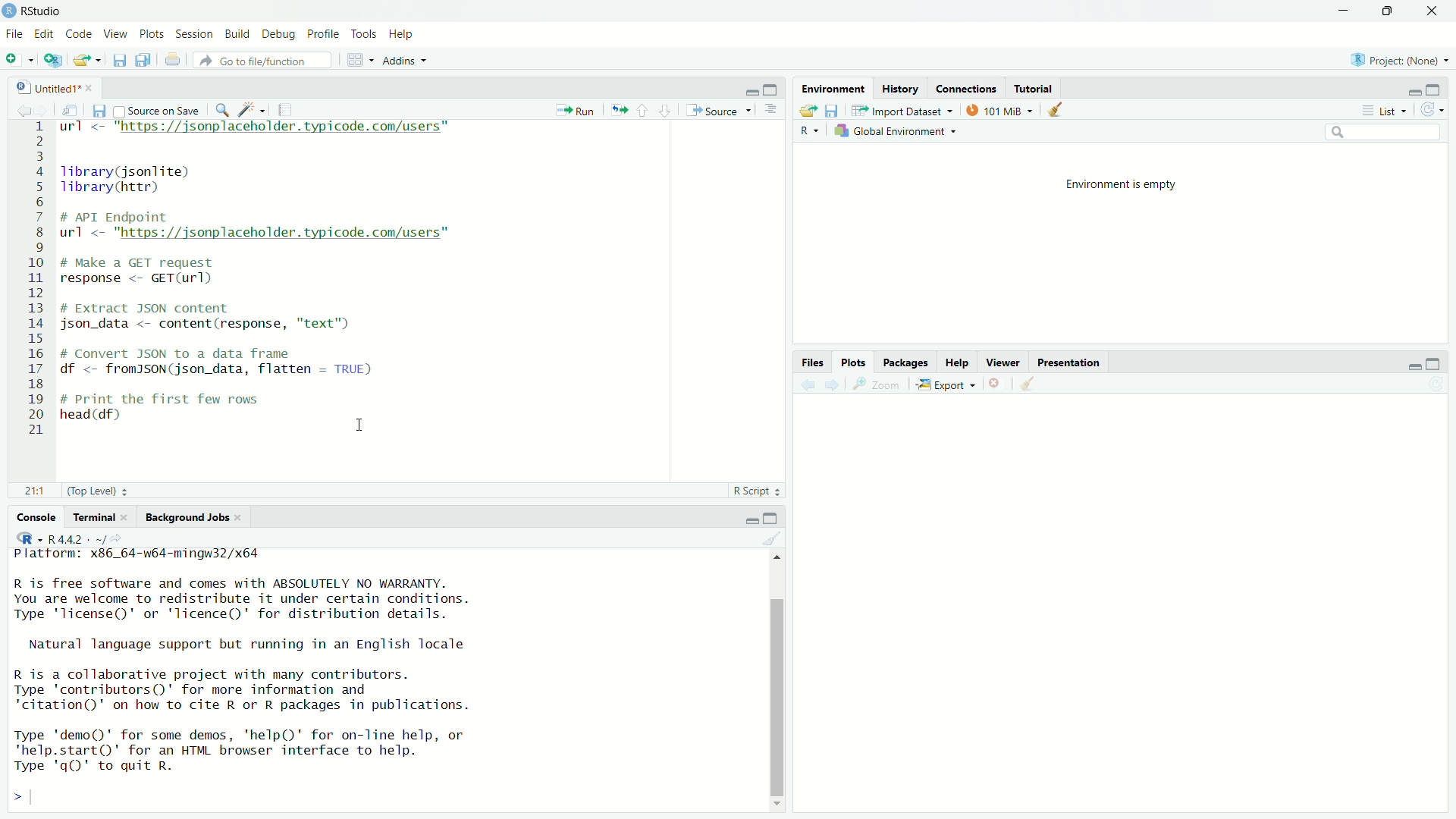 Image resolution: width=1456 pixels, height=819 pixels. What do you see at coordinates (143, 60) in the screenshot?
I see `Save all open documents` at bounding box center [143, 60].